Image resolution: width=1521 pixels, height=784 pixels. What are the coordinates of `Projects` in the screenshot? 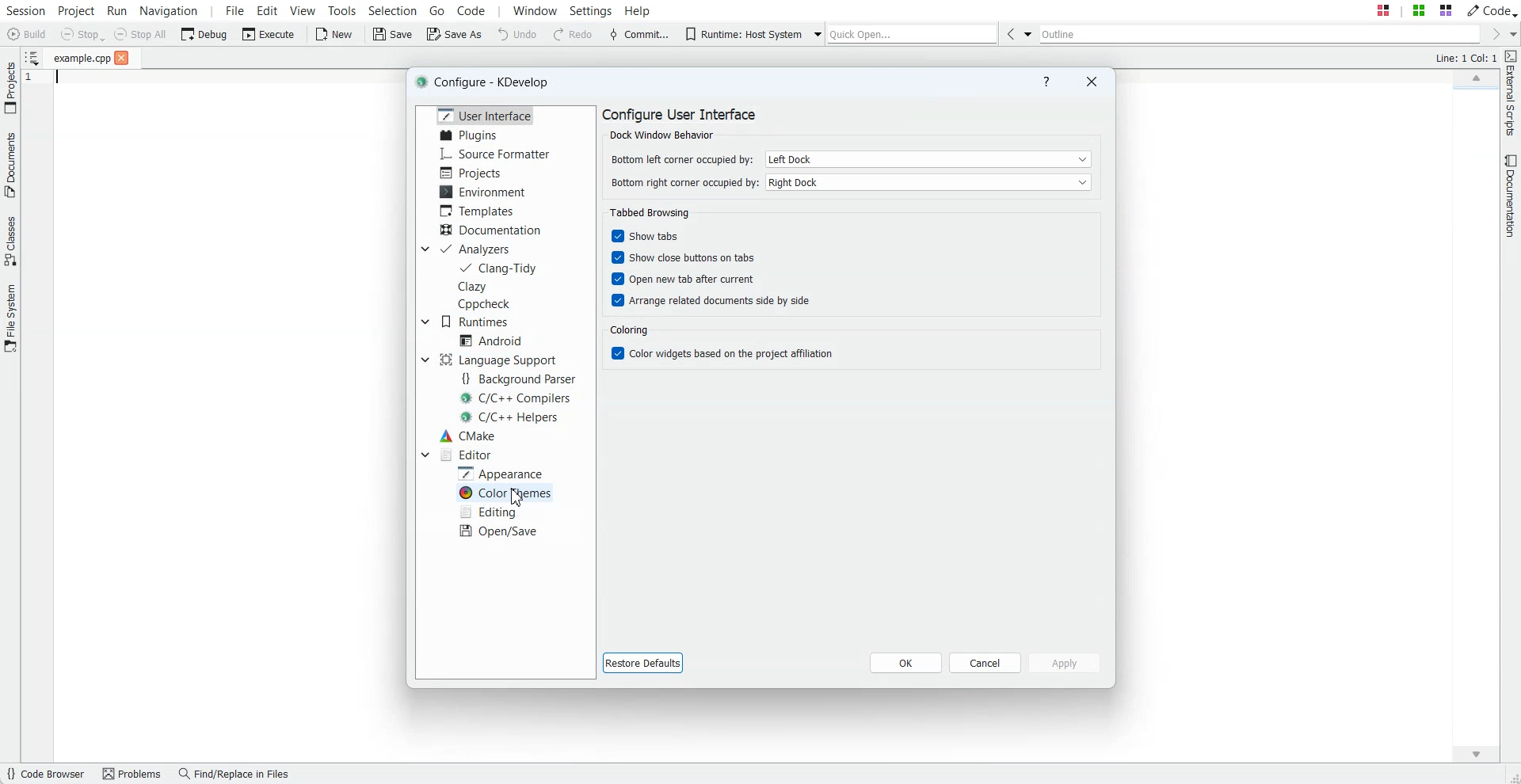 It's located at (471, 173).